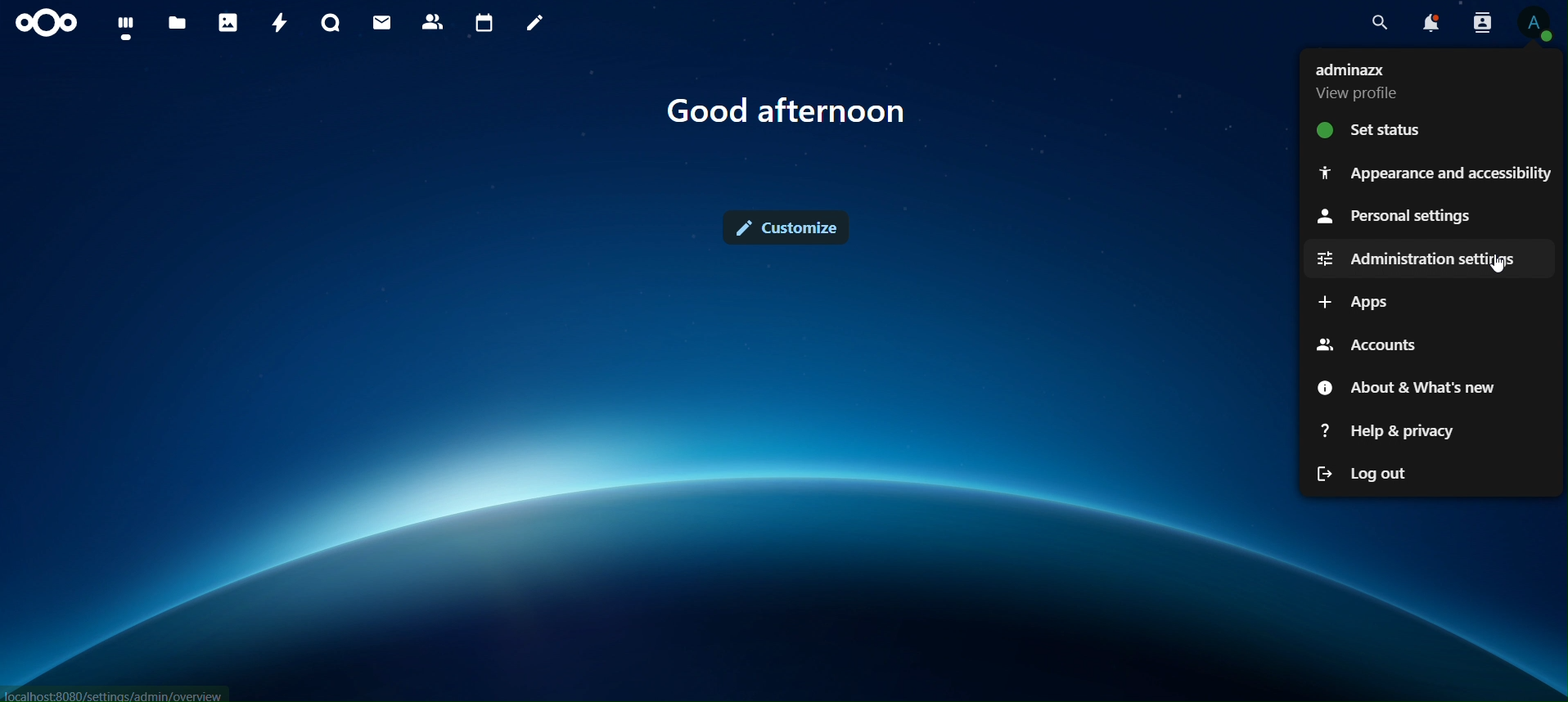  I want to click on set status, so click(1375, 130).